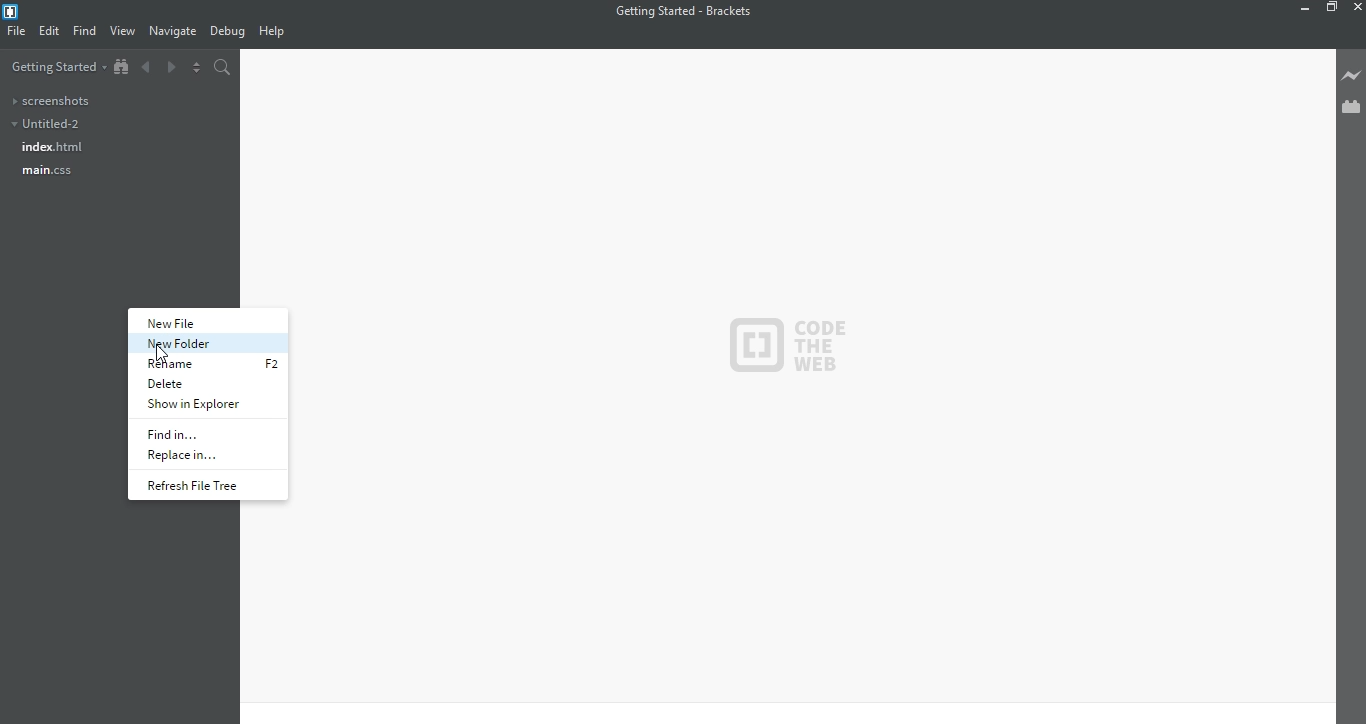  What do you see at coordinates (124, 65) in the screenshot?
I see `show in file tree` at bounding box center [124, 65].